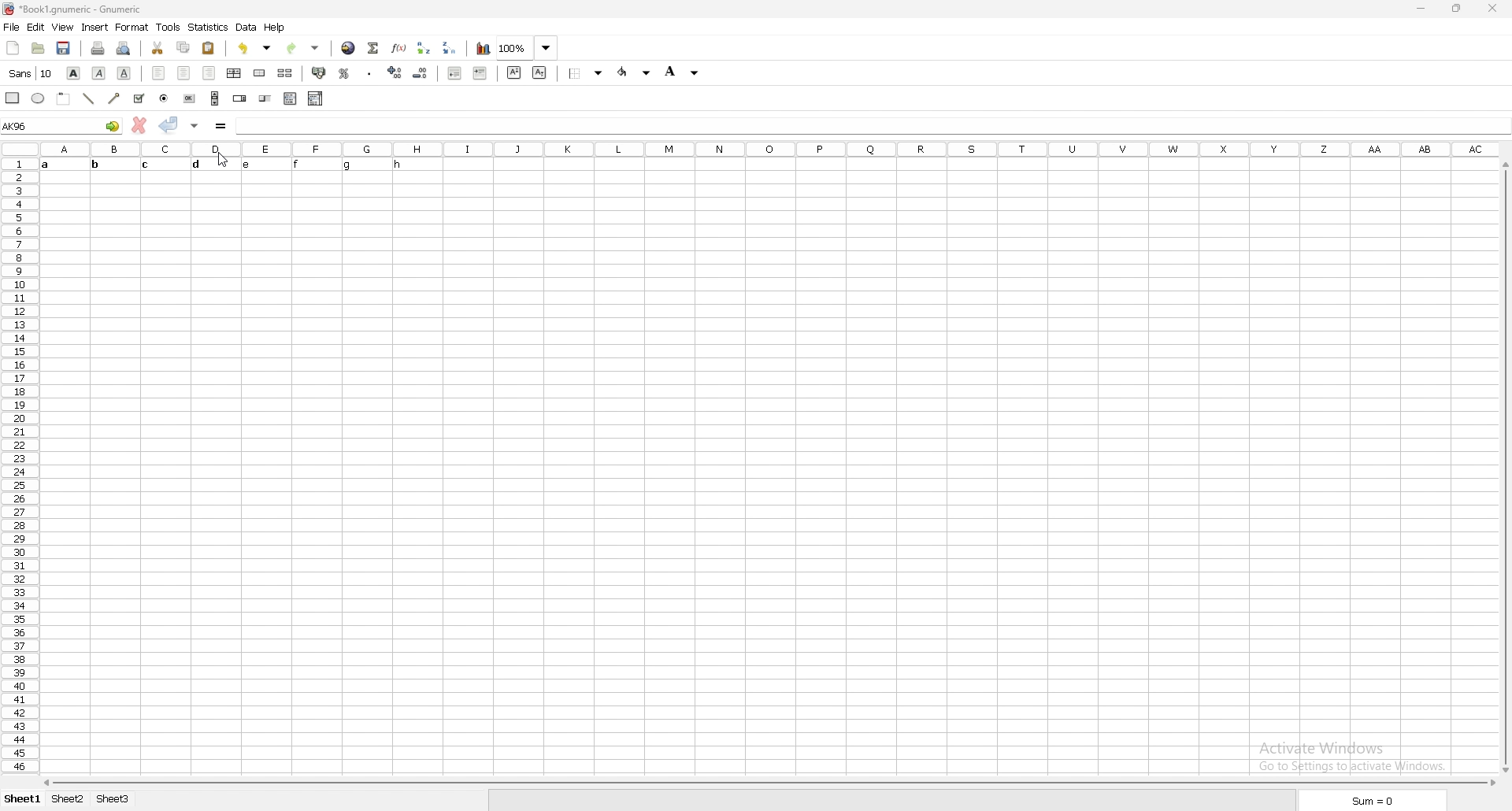 The height and width of the screenshot is (811, 1512). Describe the element at coordinates (220, 158) in the screenshot. I see `cursor` at that location.